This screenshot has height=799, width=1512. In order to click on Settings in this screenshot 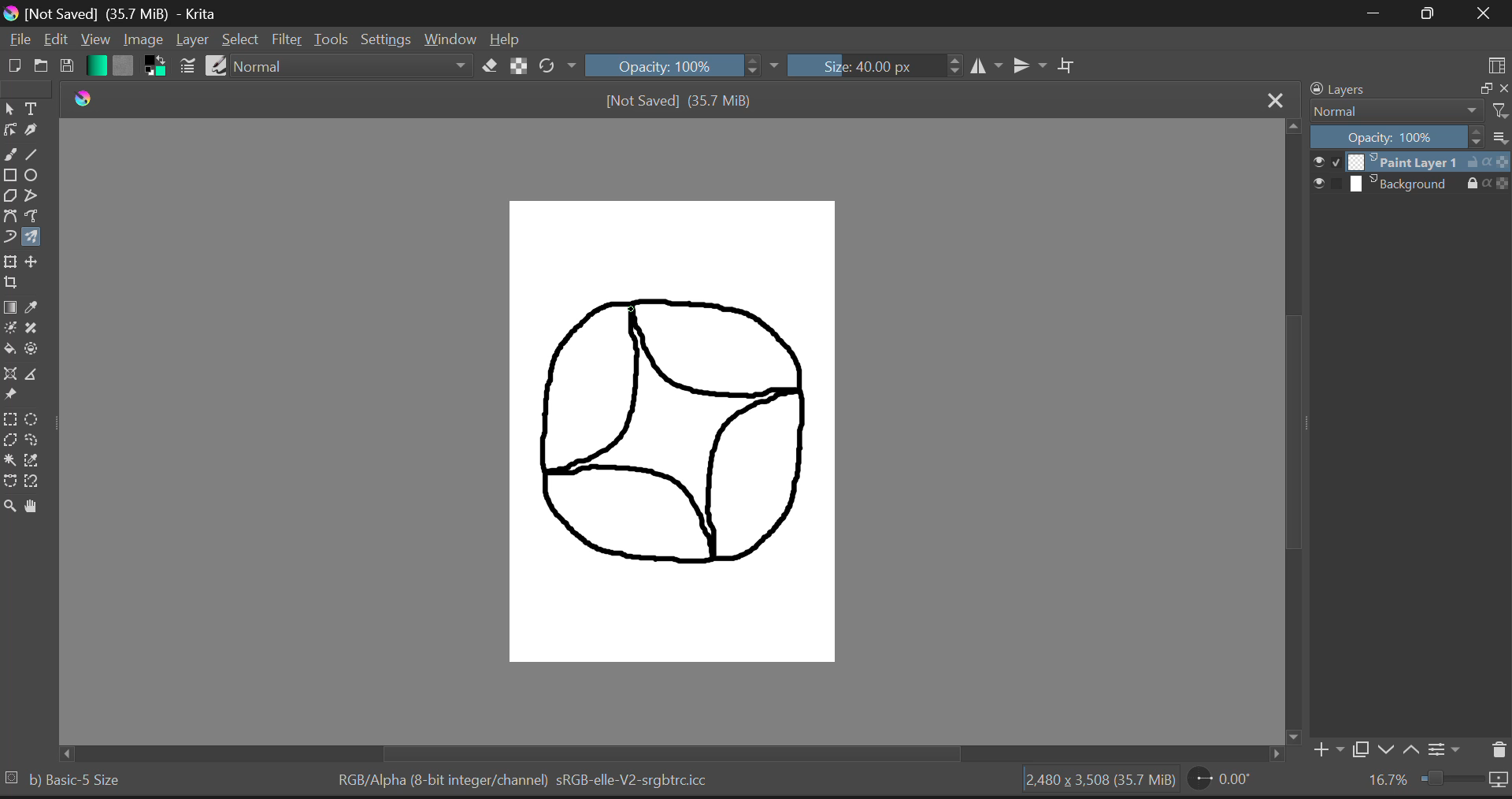, I will do `click(1447, 753)`.